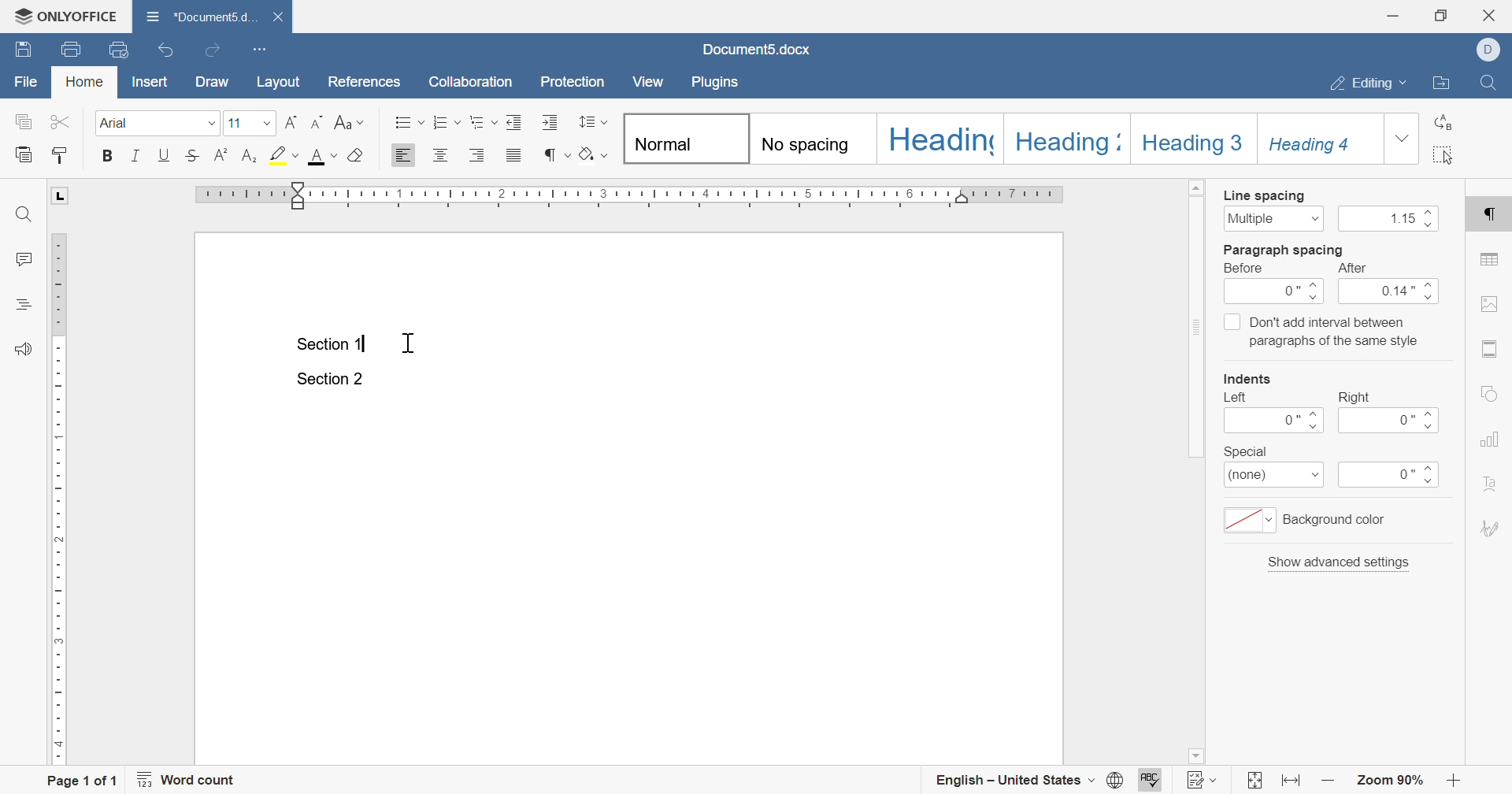  What do you see at coordinates (1368, 86) in the screenshot?
I see `editing` at bounding box center [1368, 86].